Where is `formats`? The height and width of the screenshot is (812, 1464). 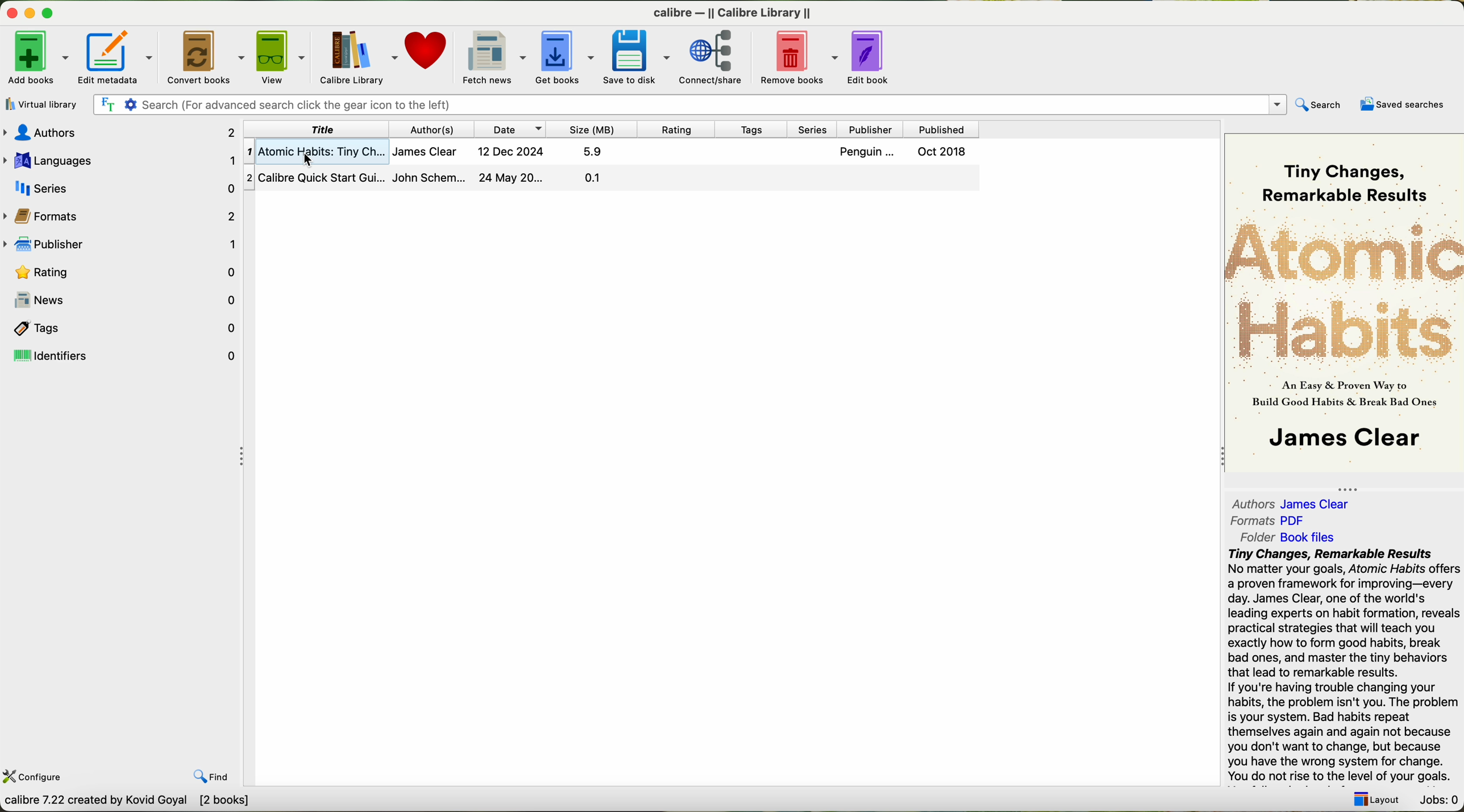
formats is located at coordinates (121, 214).